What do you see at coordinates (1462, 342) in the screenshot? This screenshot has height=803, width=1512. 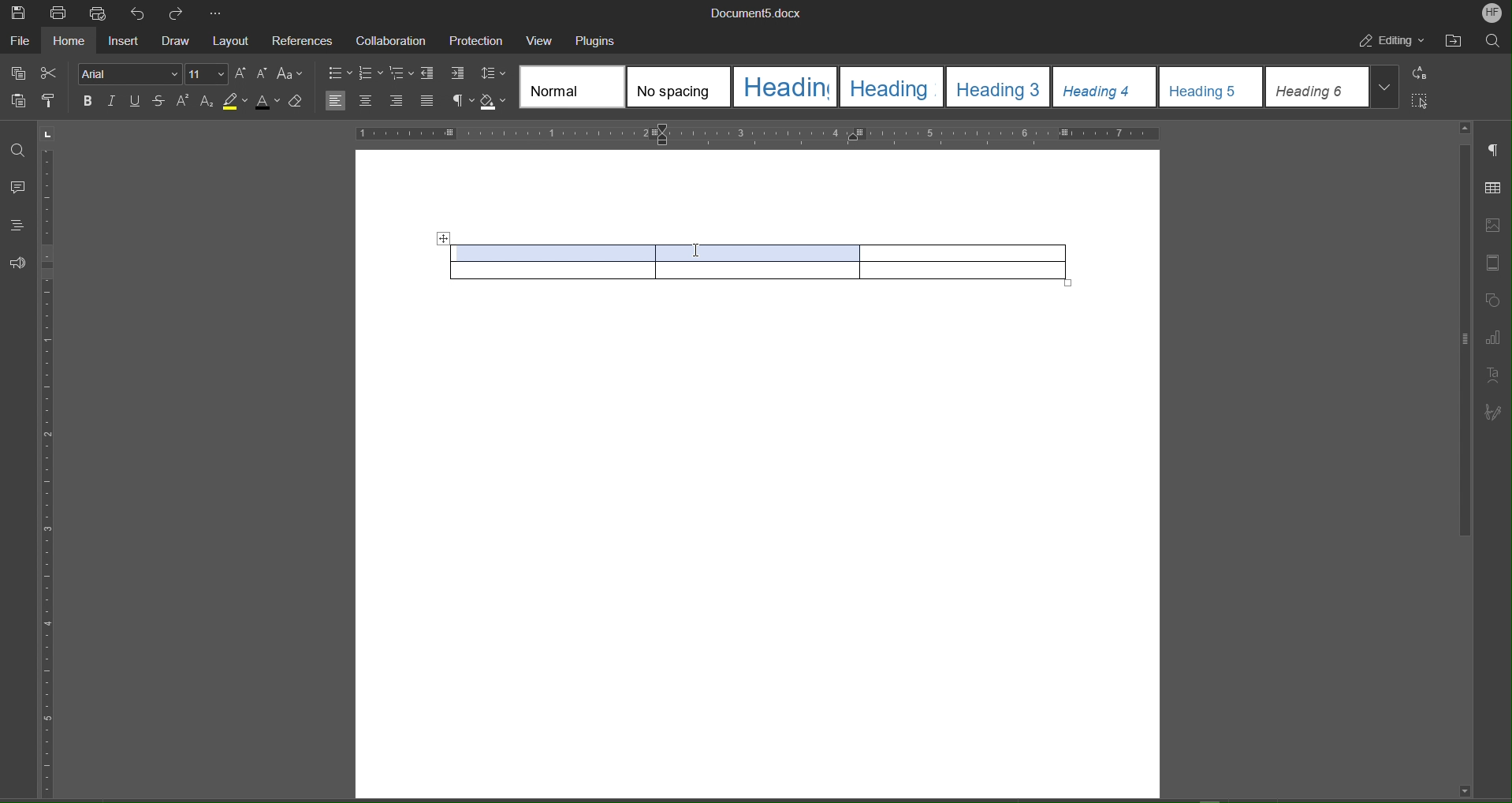 I see `scroll bar` at bounding box center [1462, 342].